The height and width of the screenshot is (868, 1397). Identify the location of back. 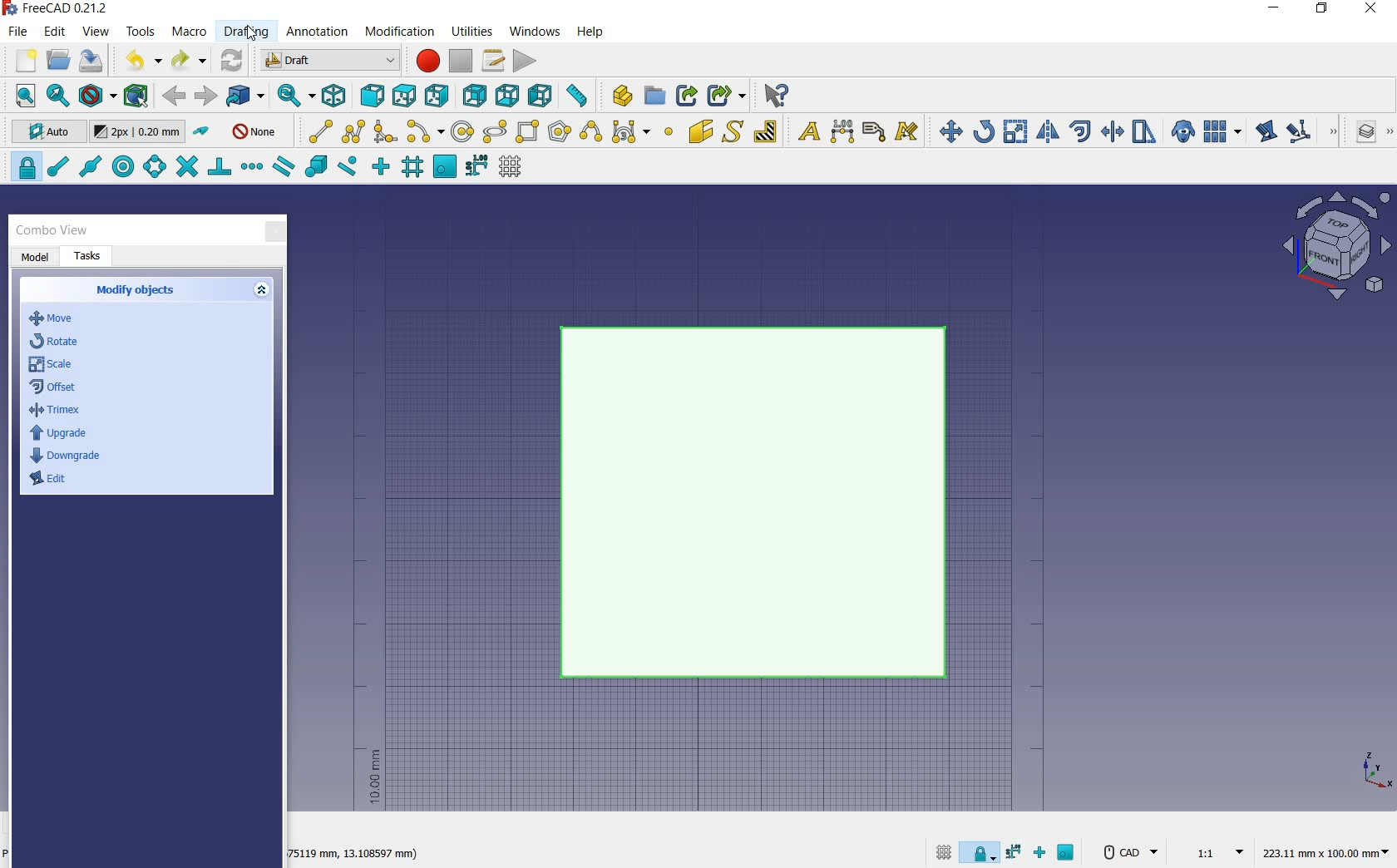
(175, 96).